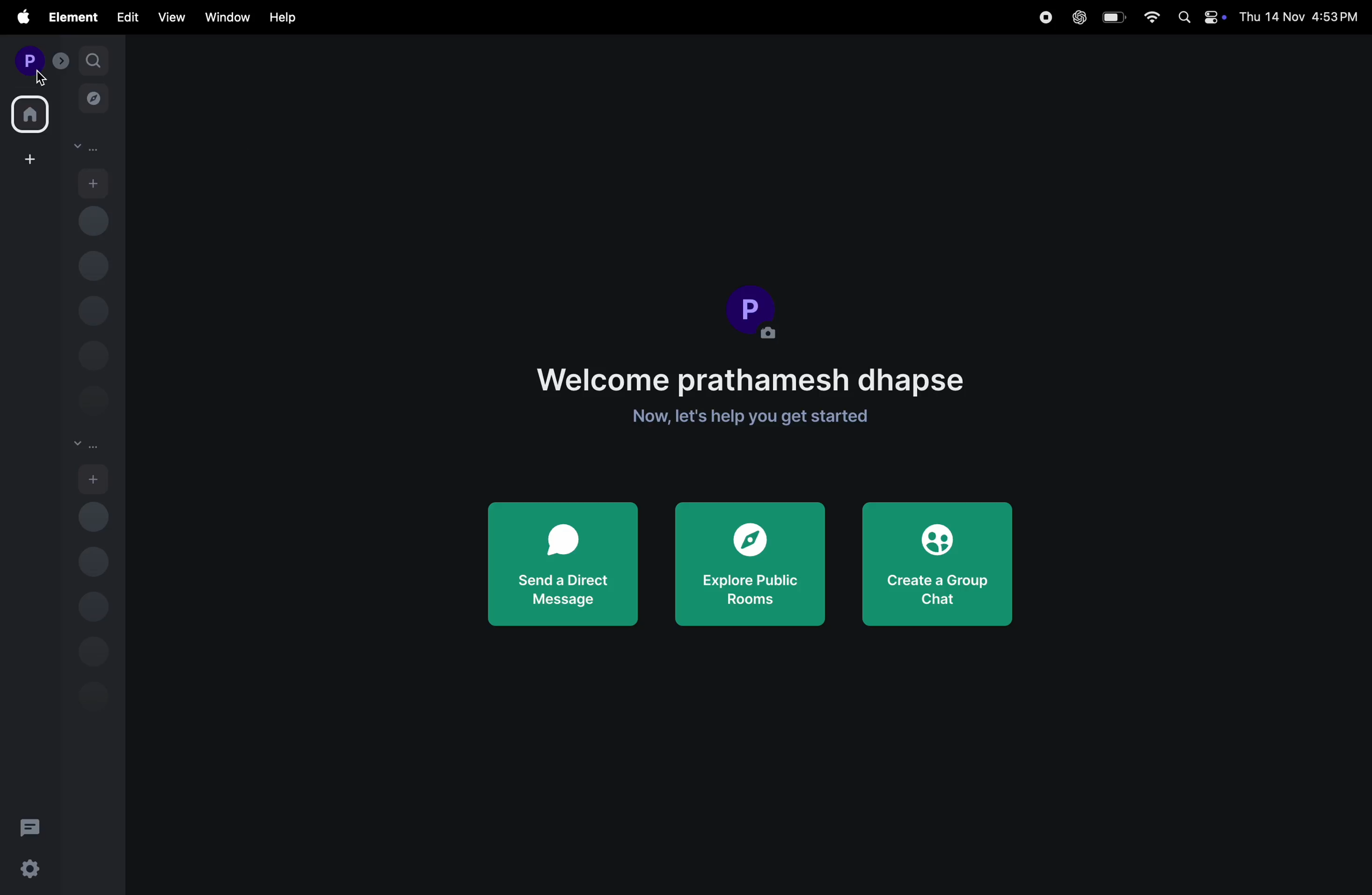 This screenshot has width=1372, height=895. What do you see at coordinates (27, 60) in the screenshot?
I see `profile` at bounding box center [27, 60].